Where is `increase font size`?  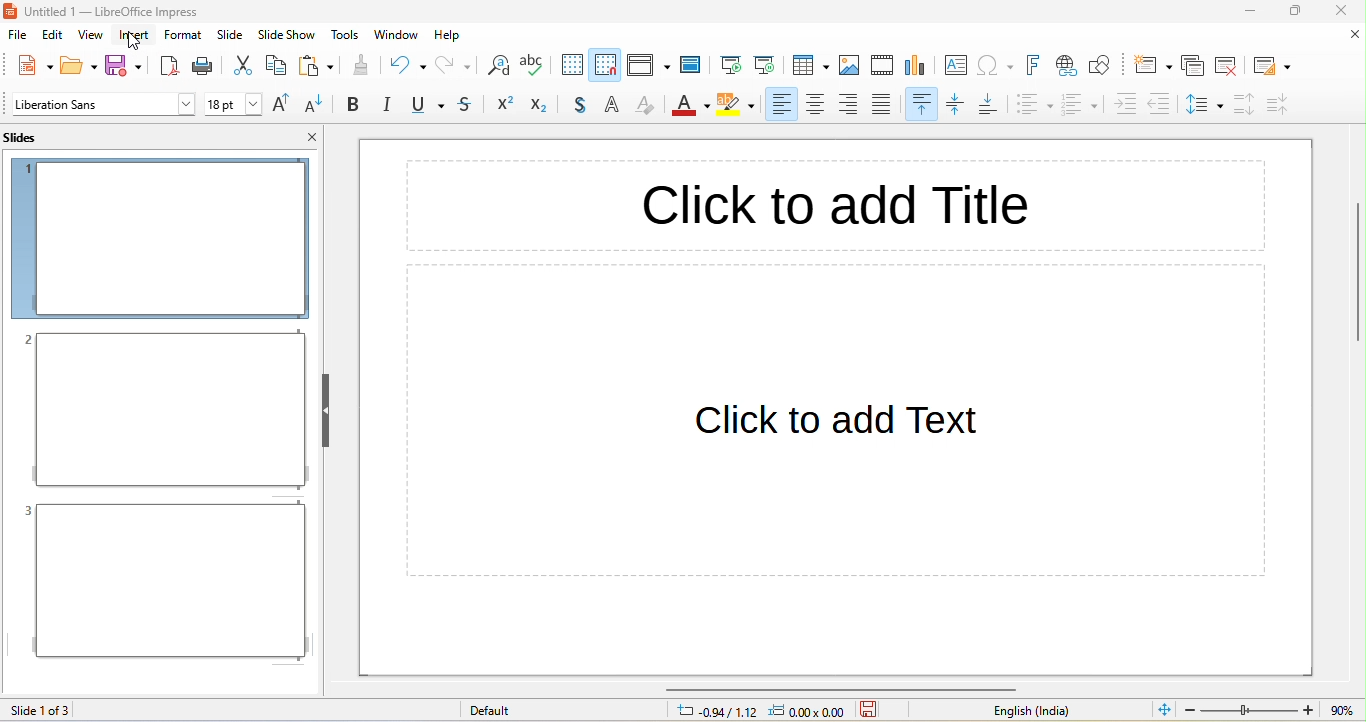
increase font size is located at coordinates (284, 106).